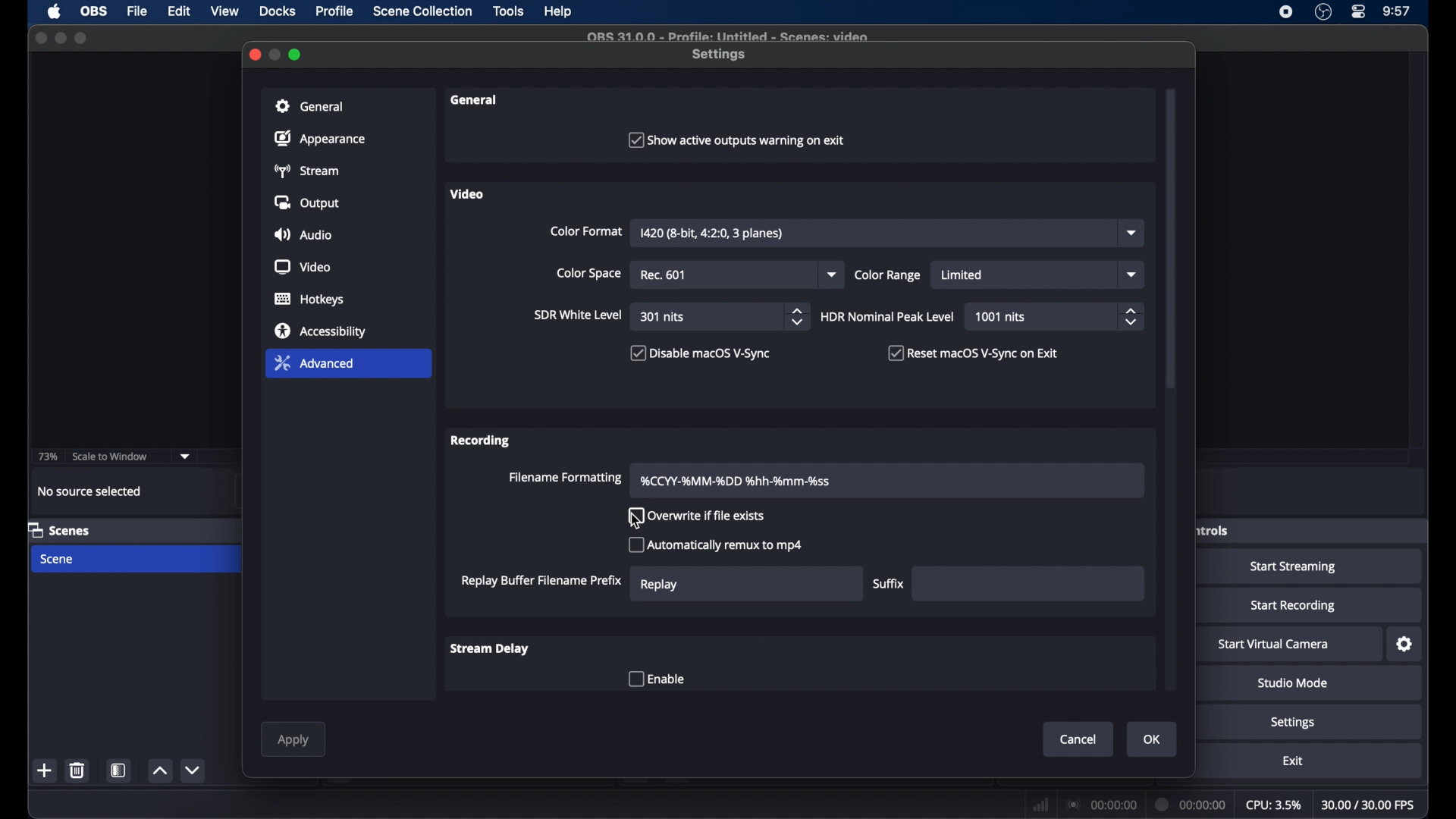 Image resolution: width=1456 pixels, height=819 pixels. What do you see at coordinates (56, 11) in the screenshot?
I see `apple icon` at bounding box center [56, 11].